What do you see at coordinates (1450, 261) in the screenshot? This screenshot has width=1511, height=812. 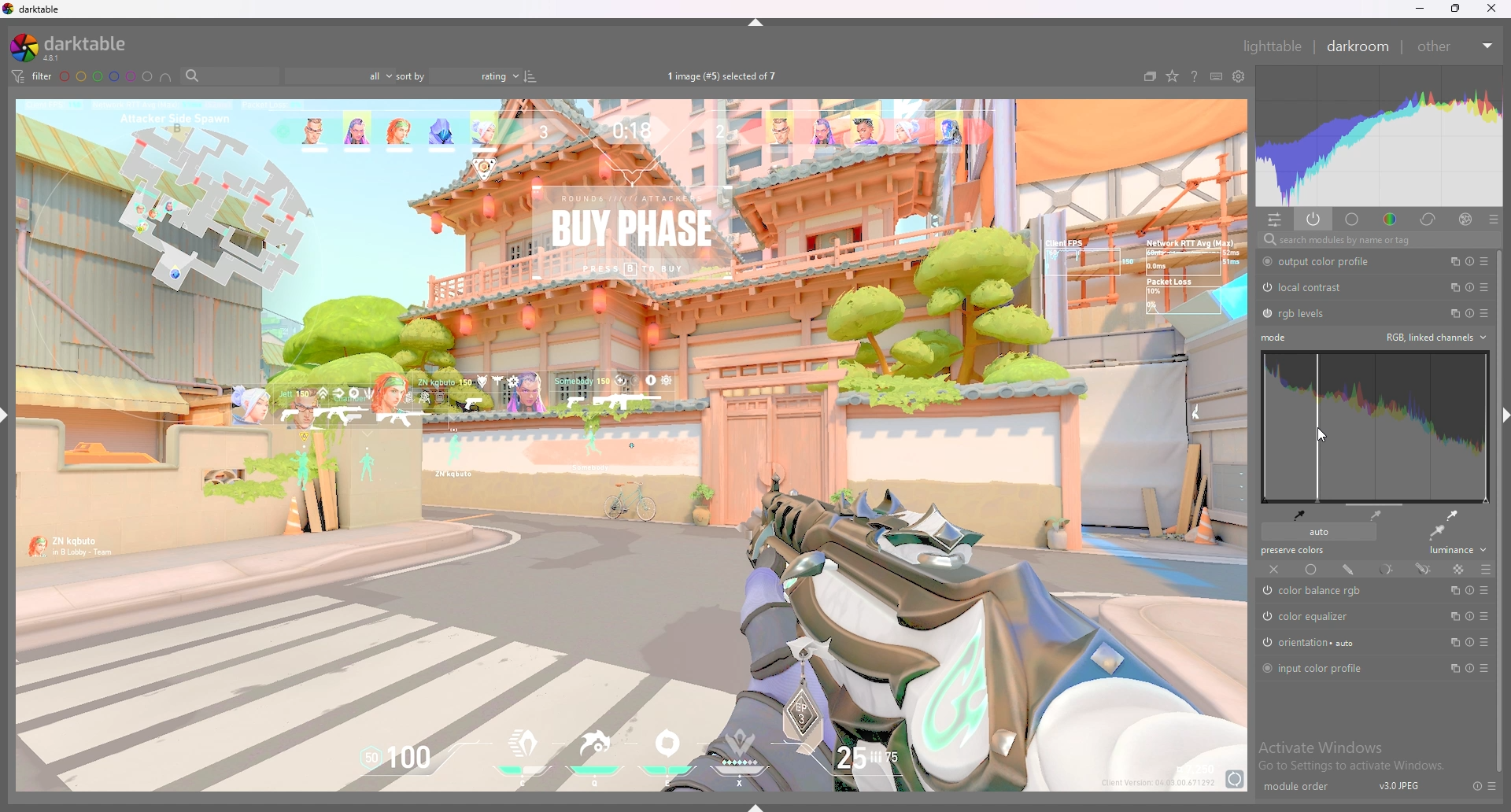 I see `multiple instances action` at bounding box center [1450, 261].